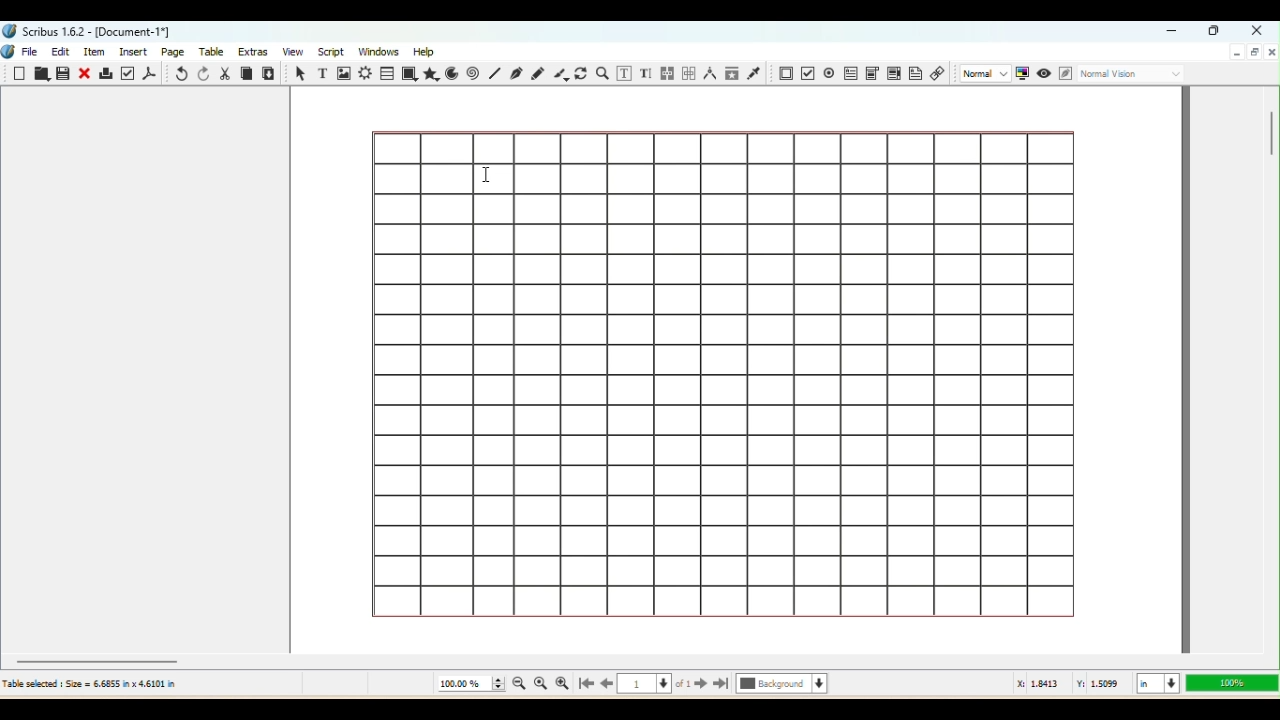 This screenshot has width=1280, height=720. I want to click on Preview mode, so click(1043, 72).